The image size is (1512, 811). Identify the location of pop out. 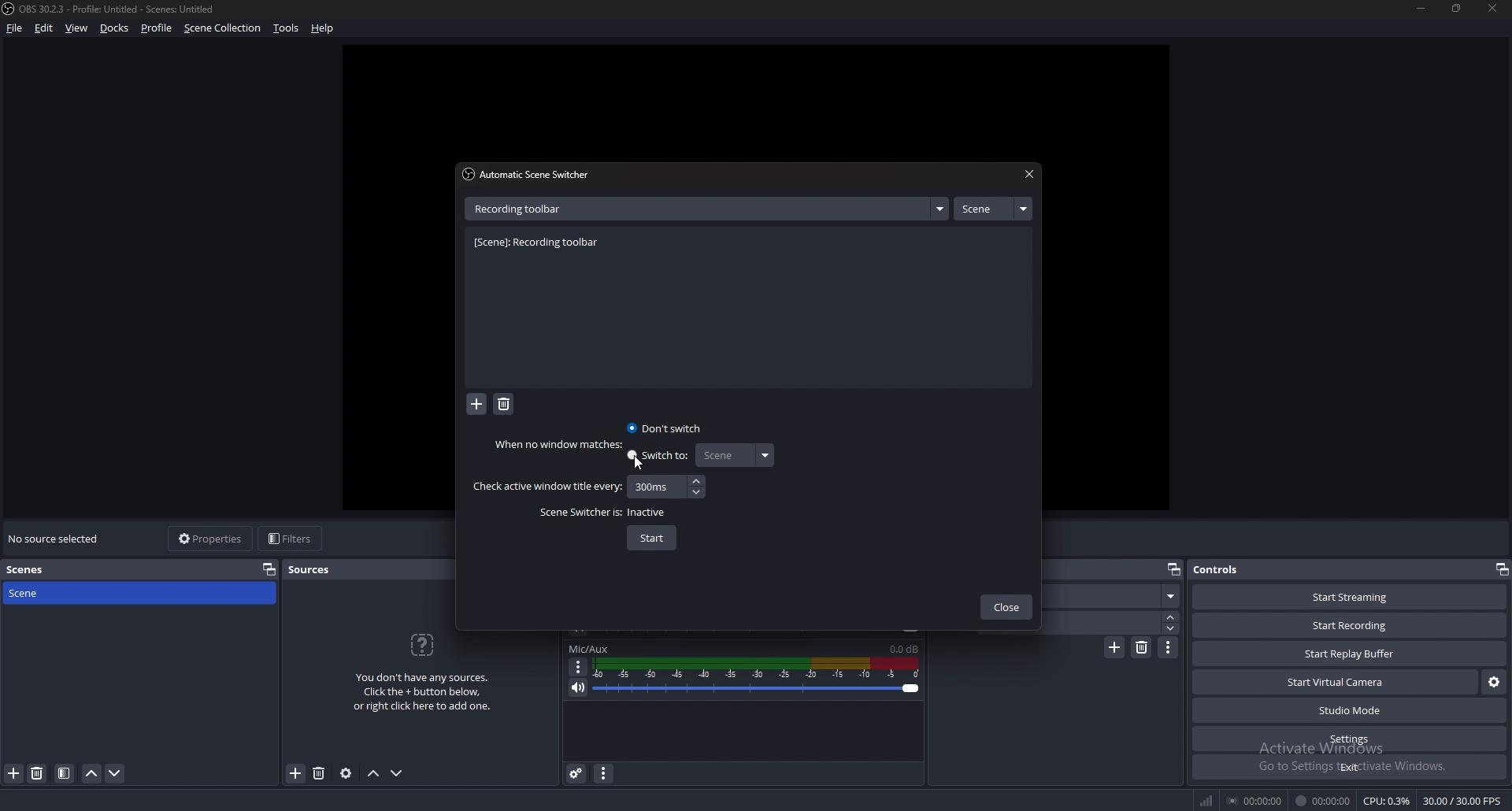
(269, 568).